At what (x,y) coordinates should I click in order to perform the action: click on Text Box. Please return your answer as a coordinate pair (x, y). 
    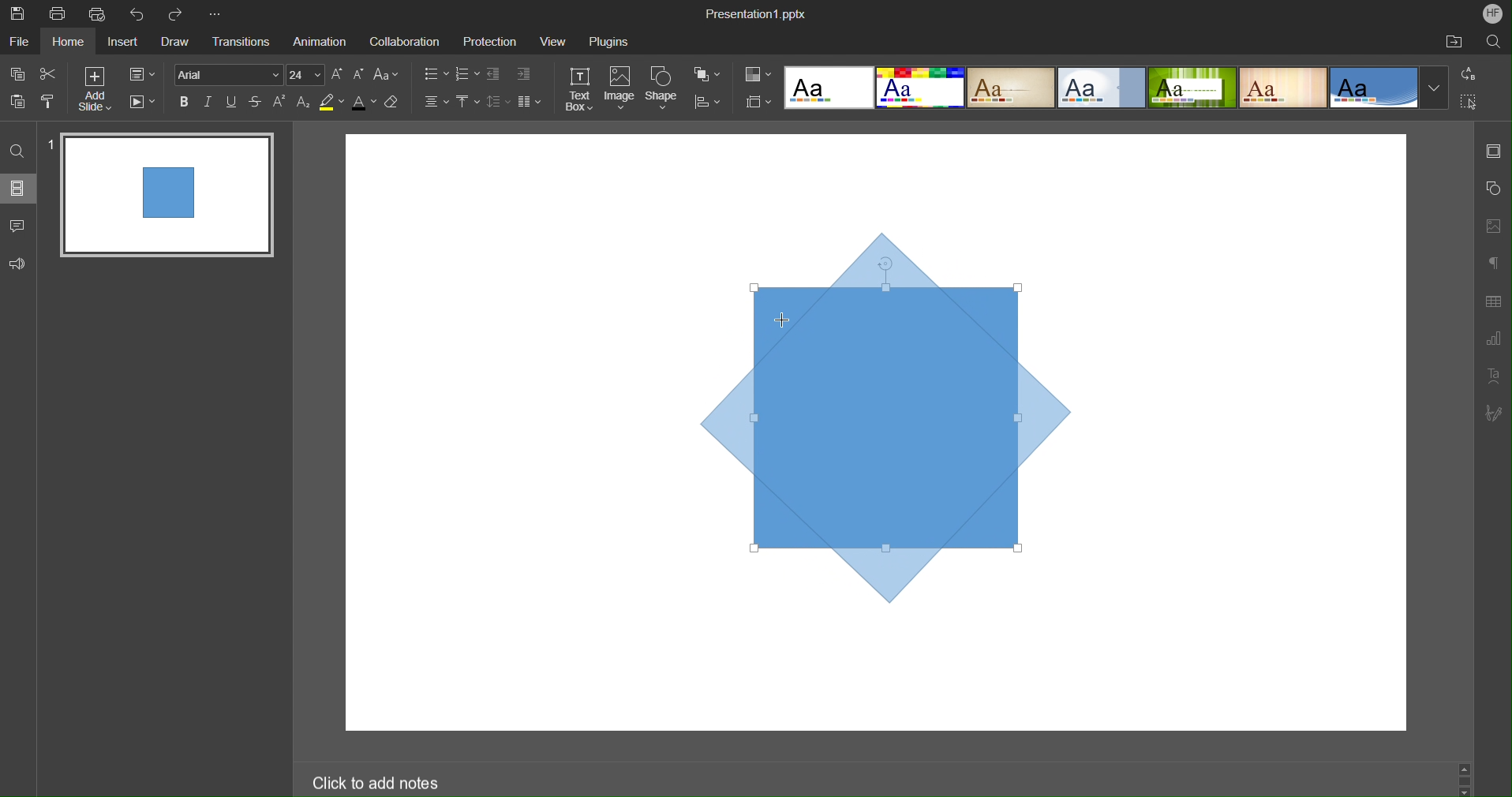
    Looking at the image, I should click on (582, 89).